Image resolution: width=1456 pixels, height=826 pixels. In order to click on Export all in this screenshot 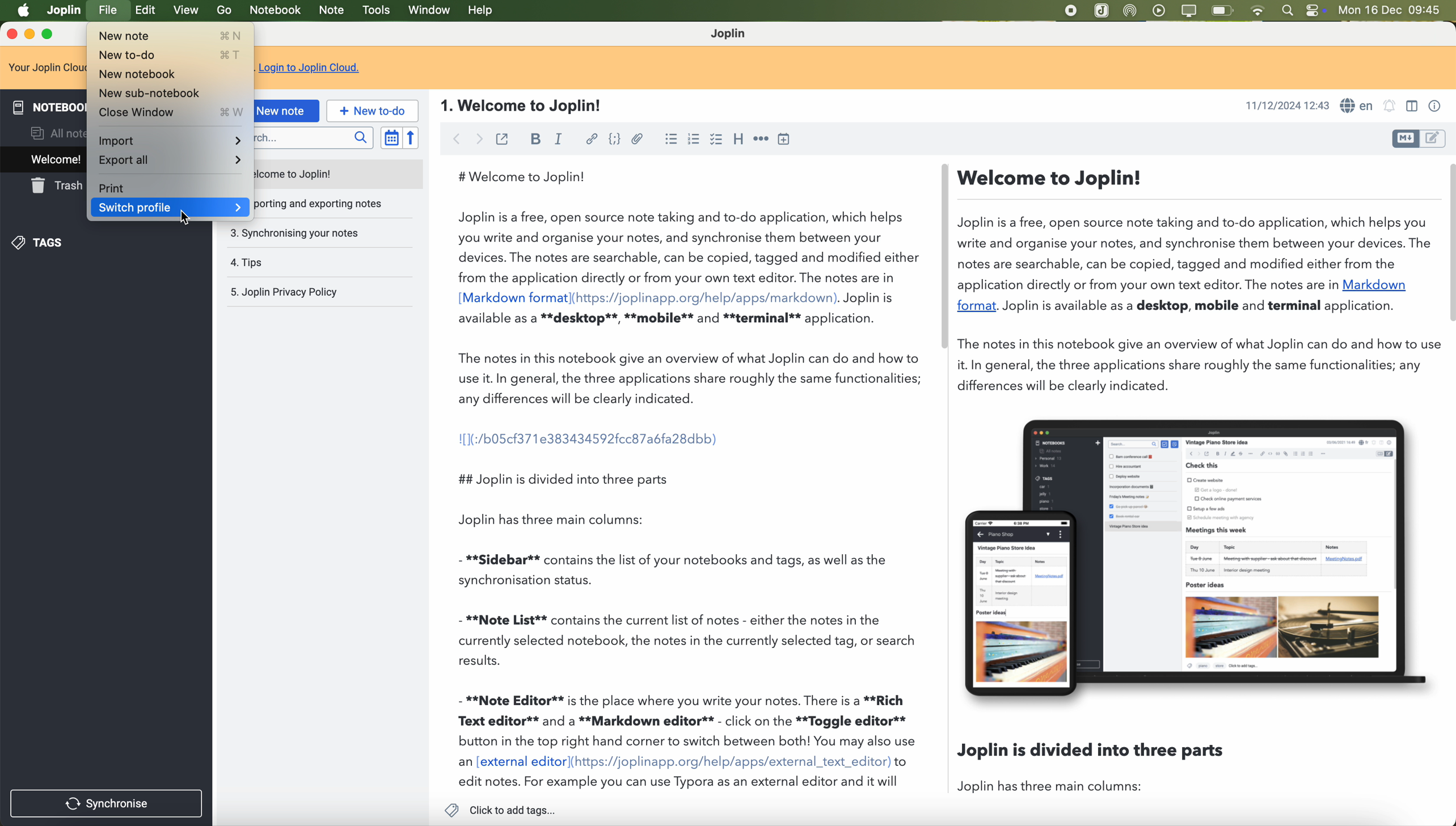, I will do `click(171, 162)`.